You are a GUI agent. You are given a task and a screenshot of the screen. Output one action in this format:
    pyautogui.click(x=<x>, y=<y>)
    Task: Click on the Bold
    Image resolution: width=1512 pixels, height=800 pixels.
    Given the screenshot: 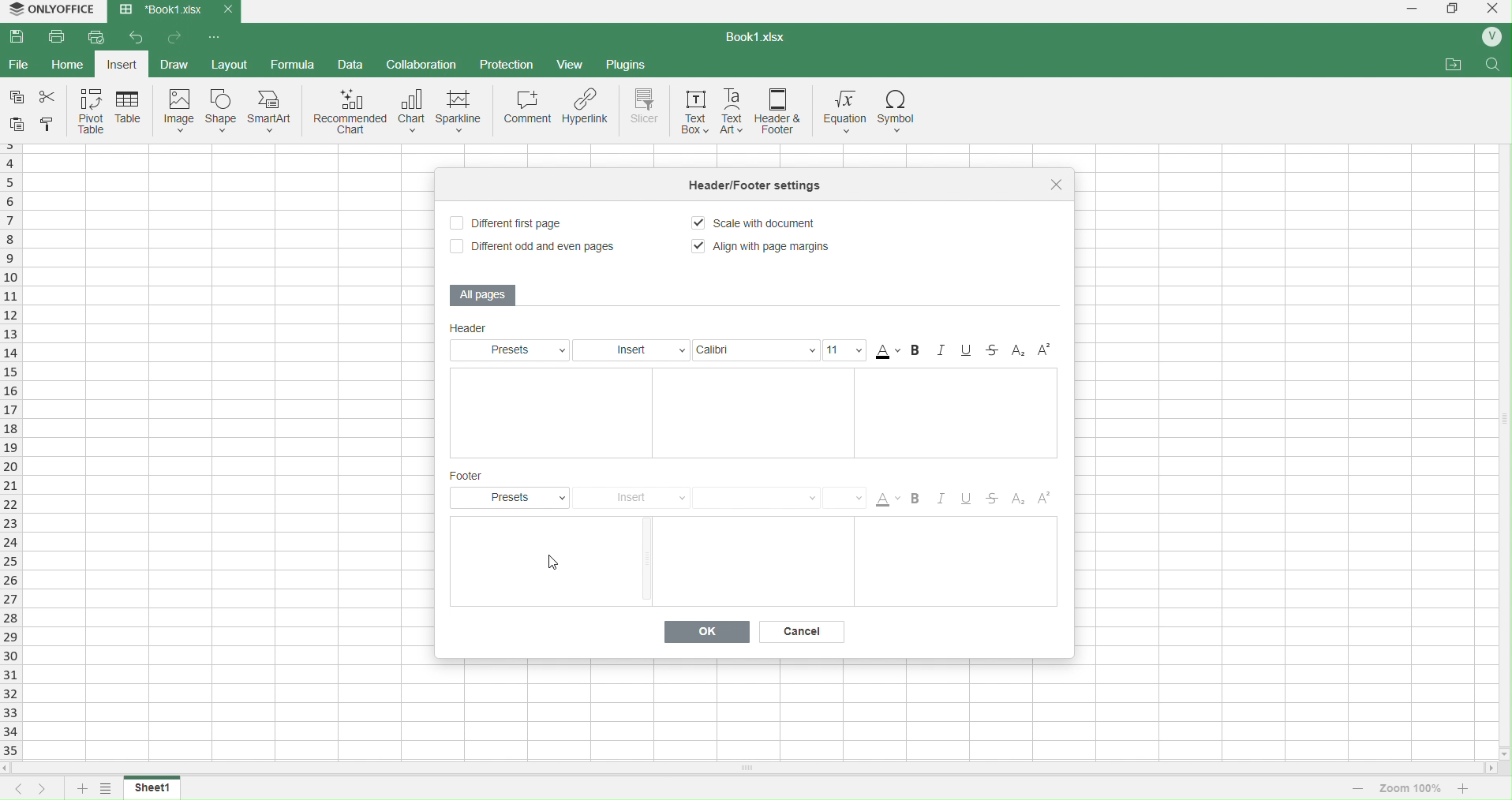 What is the action you would take?
    pyautogui.click(x=919, y=352)
    